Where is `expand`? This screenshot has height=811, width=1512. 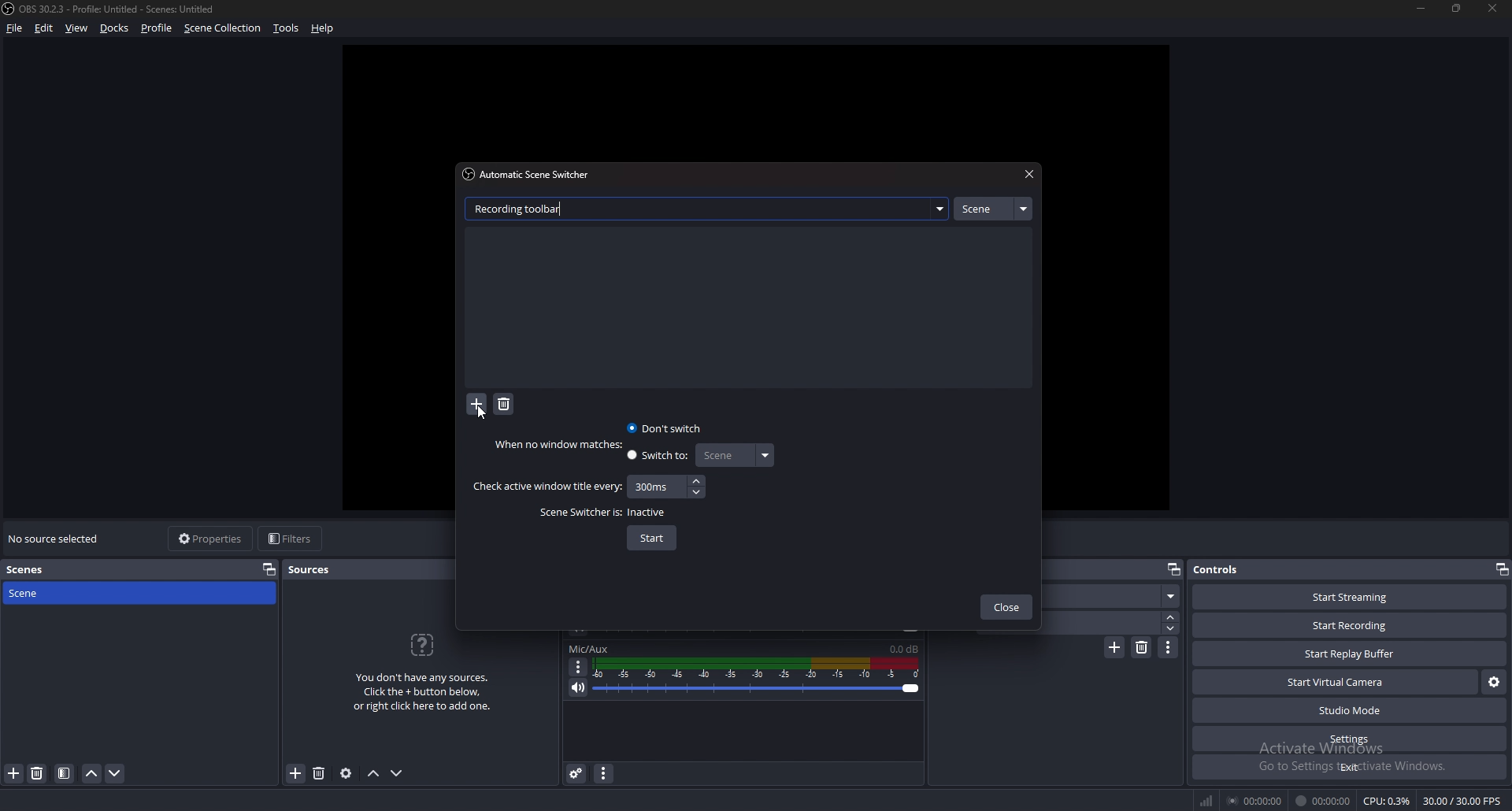
expand is located at coordinates (939, 209).